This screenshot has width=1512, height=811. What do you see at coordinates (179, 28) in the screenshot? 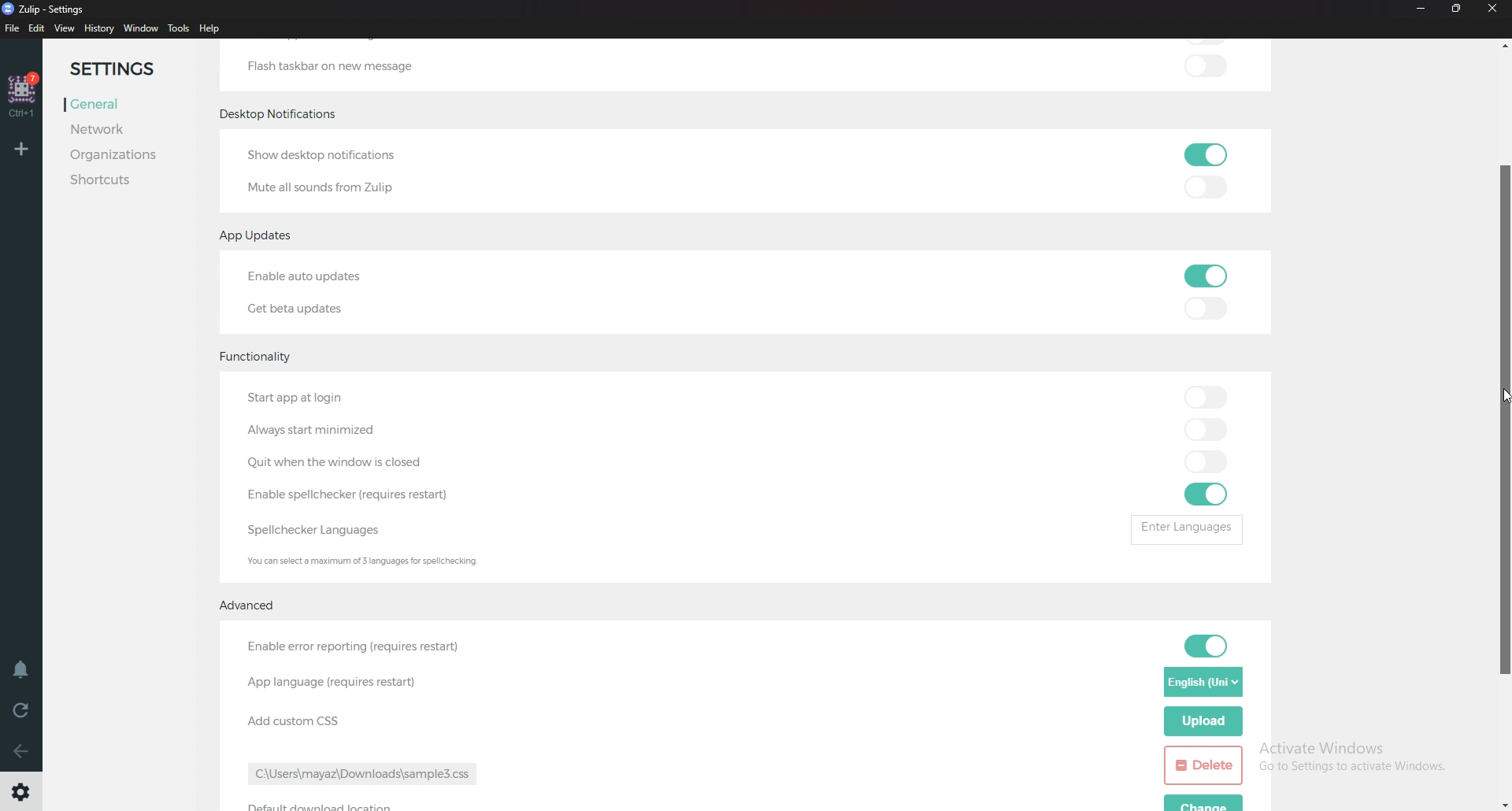
I see `Tools` at bounding box center [179, 28].